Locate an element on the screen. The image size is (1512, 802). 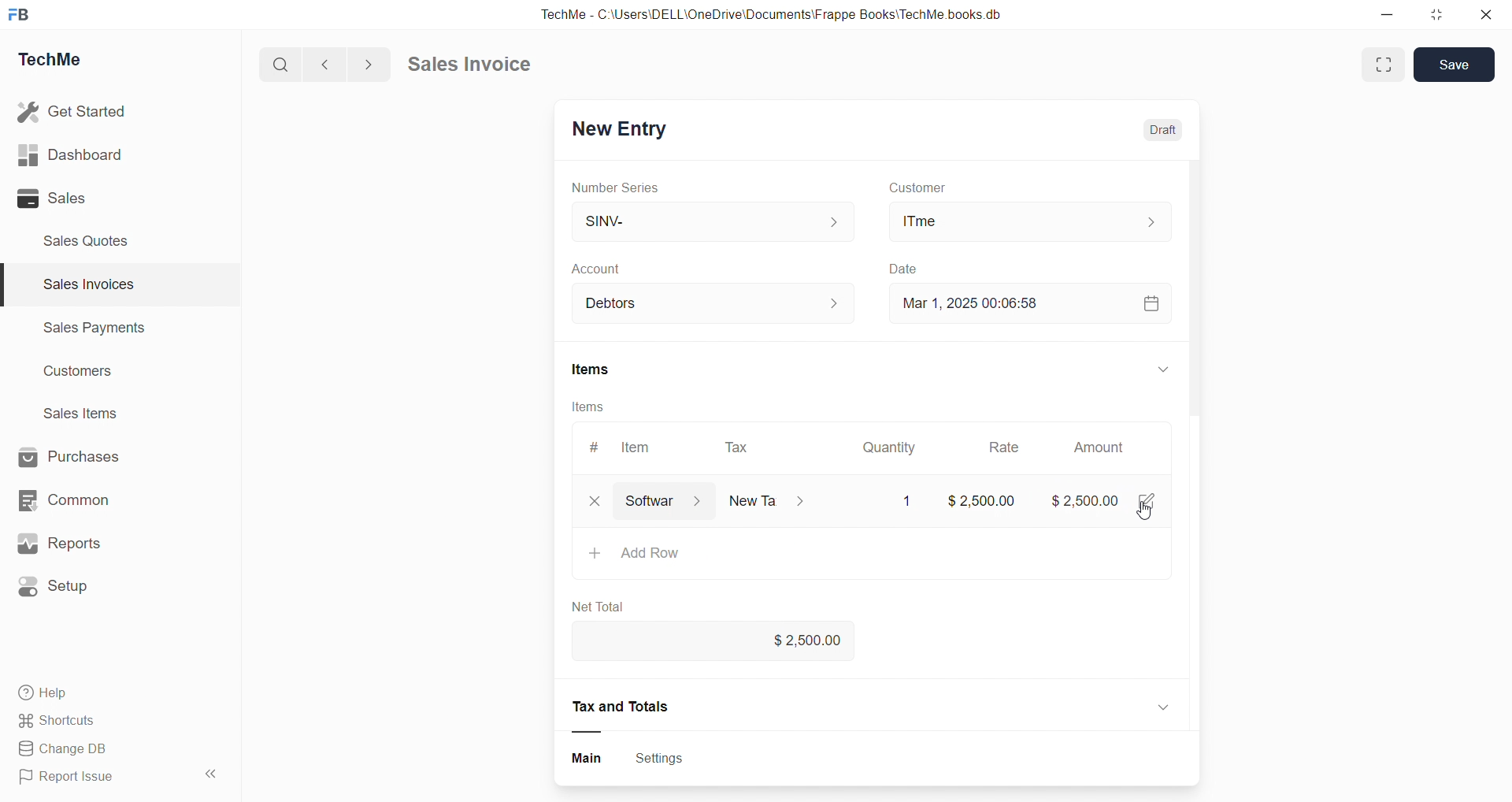
@ Setup is located at coordinates (62, 592).